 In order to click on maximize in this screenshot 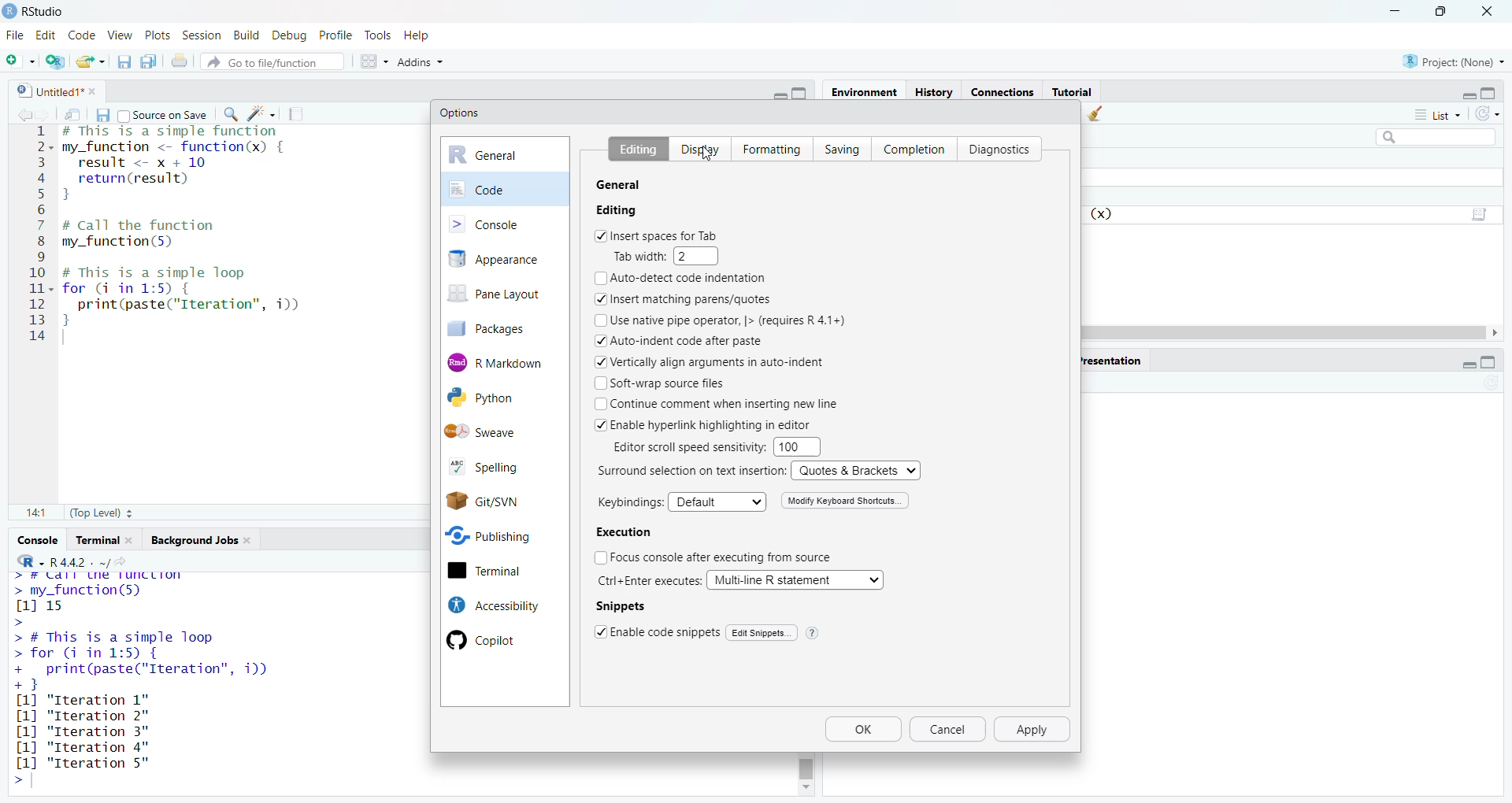, I will do `click(1497, 363)`.